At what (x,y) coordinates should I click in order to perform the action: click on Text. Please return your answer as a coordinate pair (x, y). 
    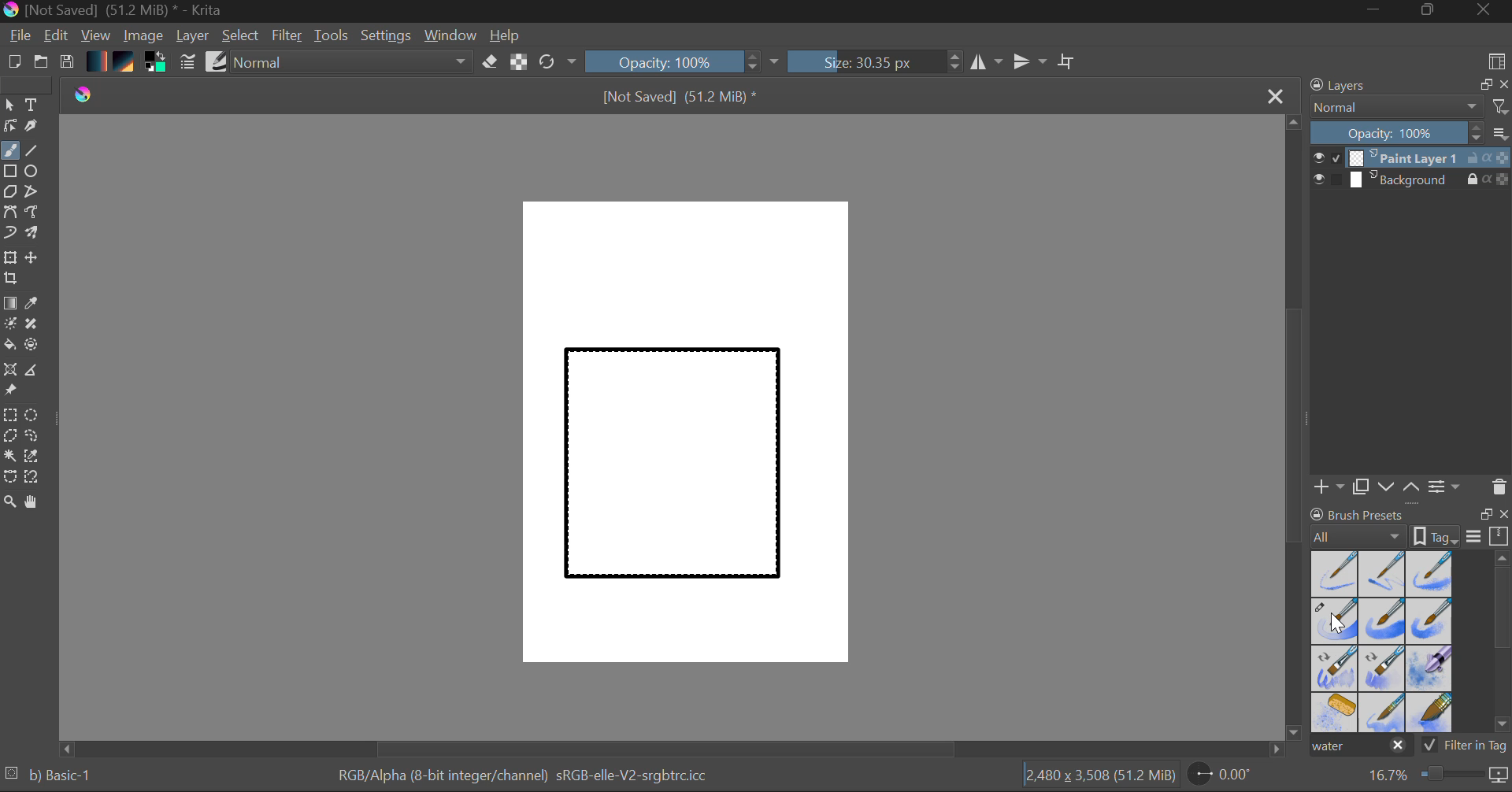
    Looking at the image, I should click on (32, 103).